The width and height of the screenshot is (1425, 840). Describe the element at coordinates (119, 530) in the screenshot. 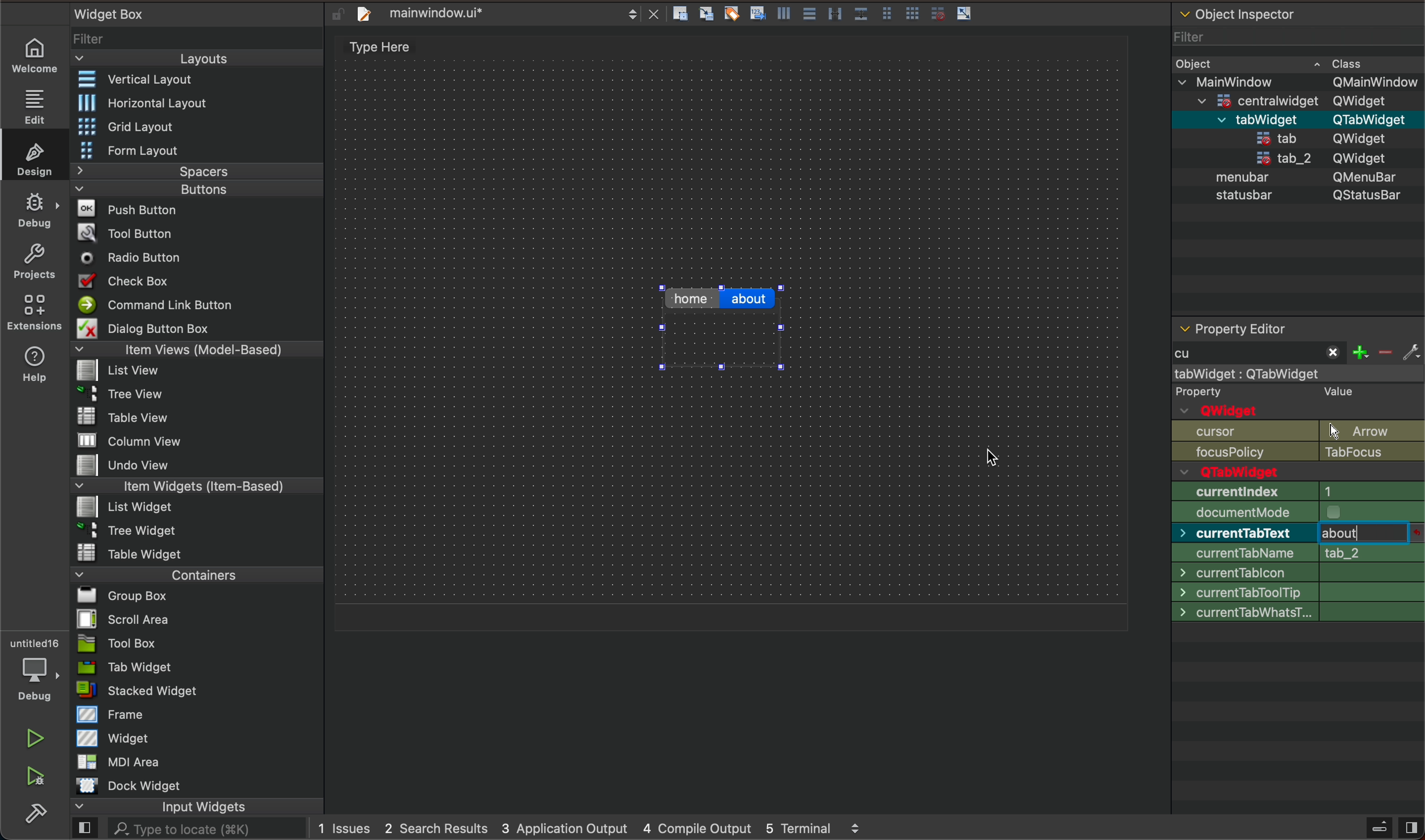

I see `~ 3 Tree Widget` at that location.